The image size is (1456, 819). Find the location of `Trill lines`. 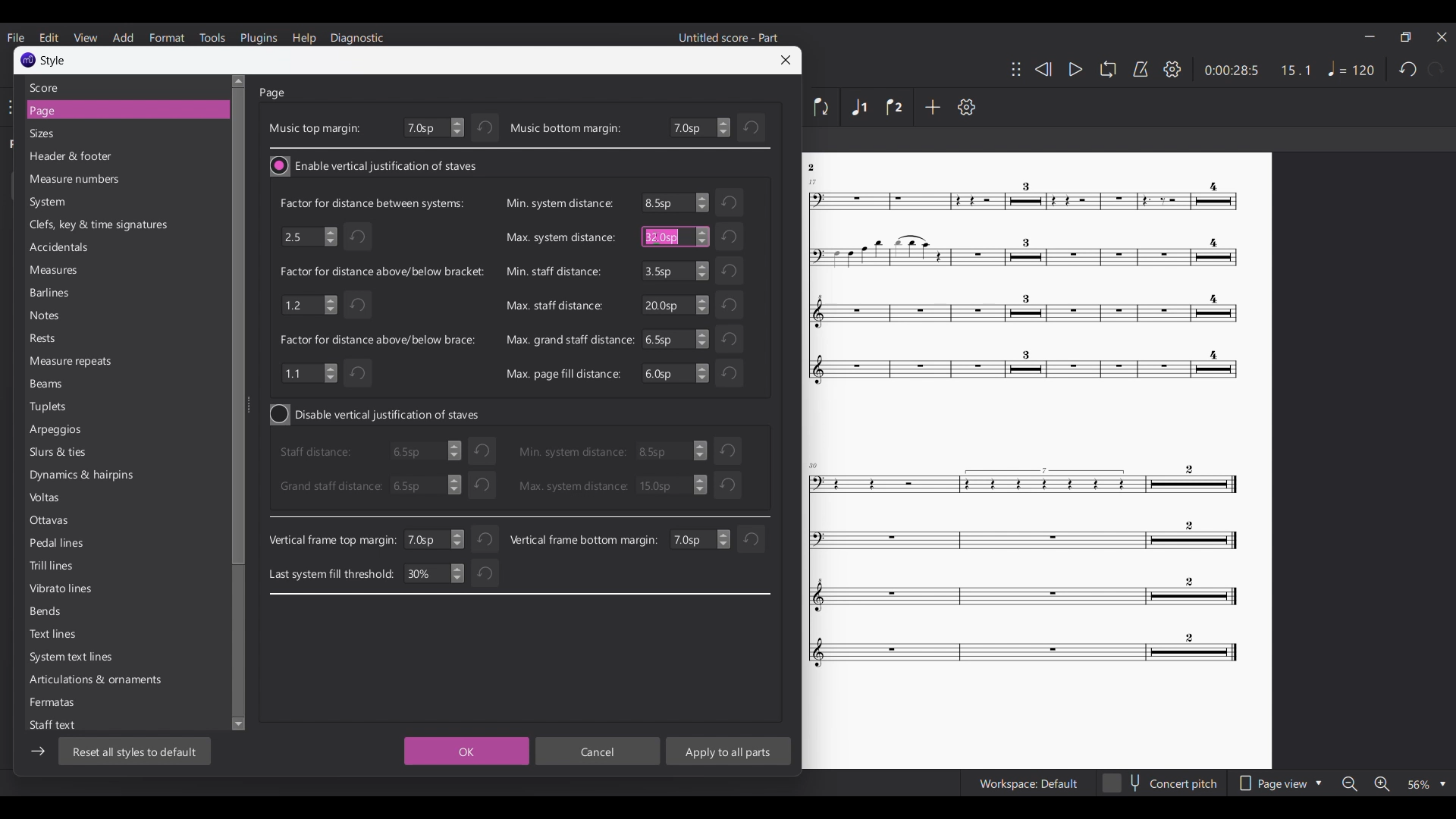

Trill lines is located at coordinates (81, 566).